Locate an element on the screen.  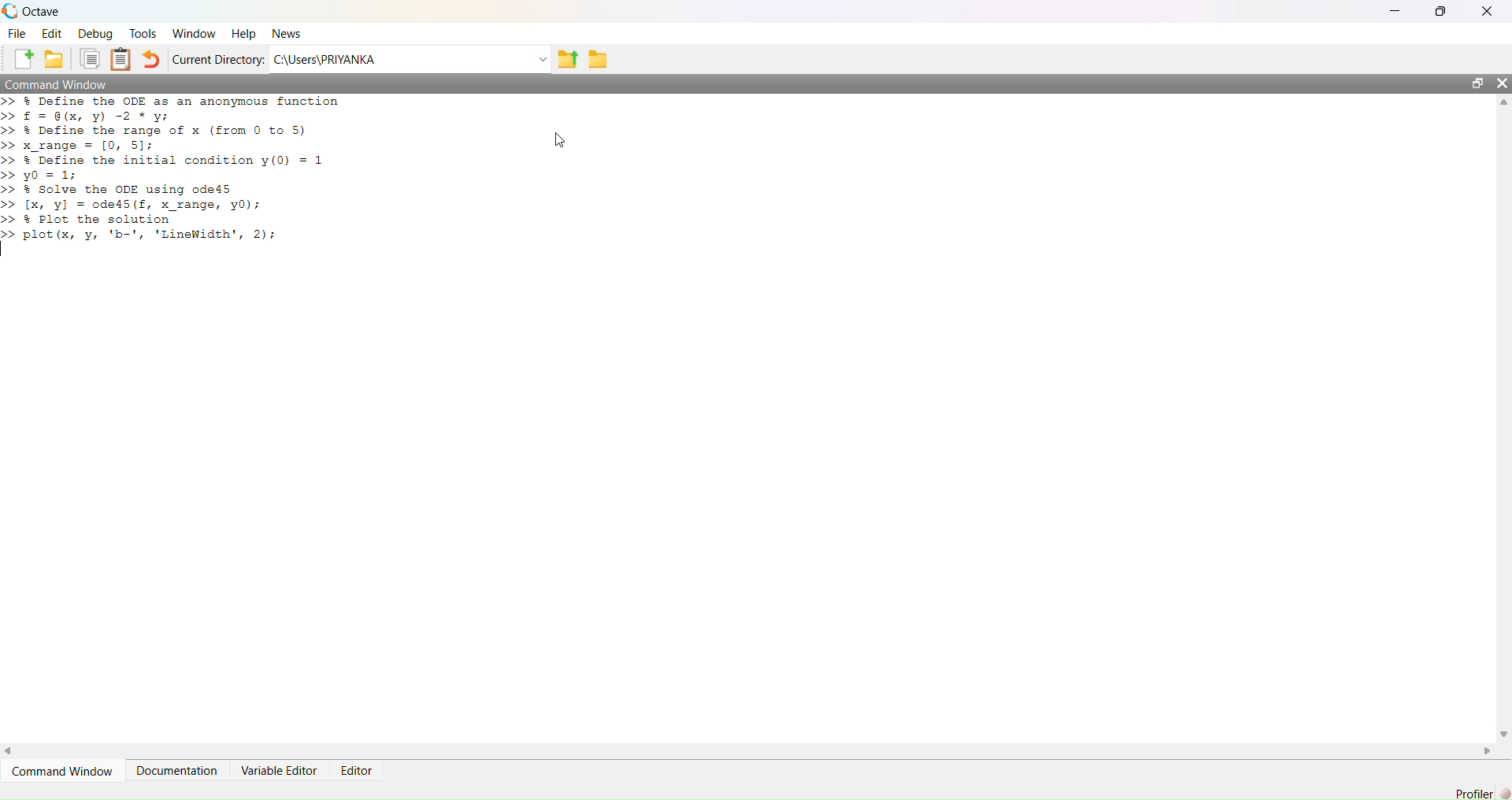
Octave is located at coordinates (41, 12).